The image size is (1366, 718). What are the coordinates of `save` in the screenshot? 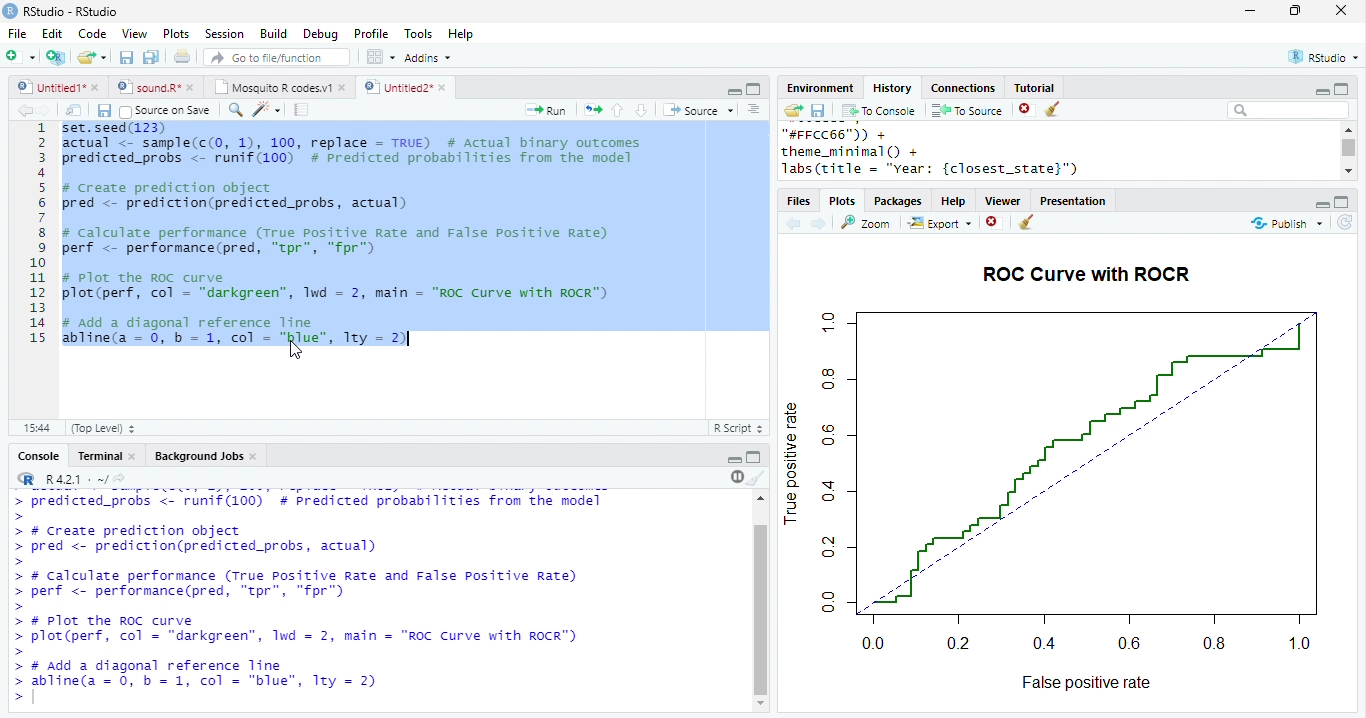 It's located at (126, 57).